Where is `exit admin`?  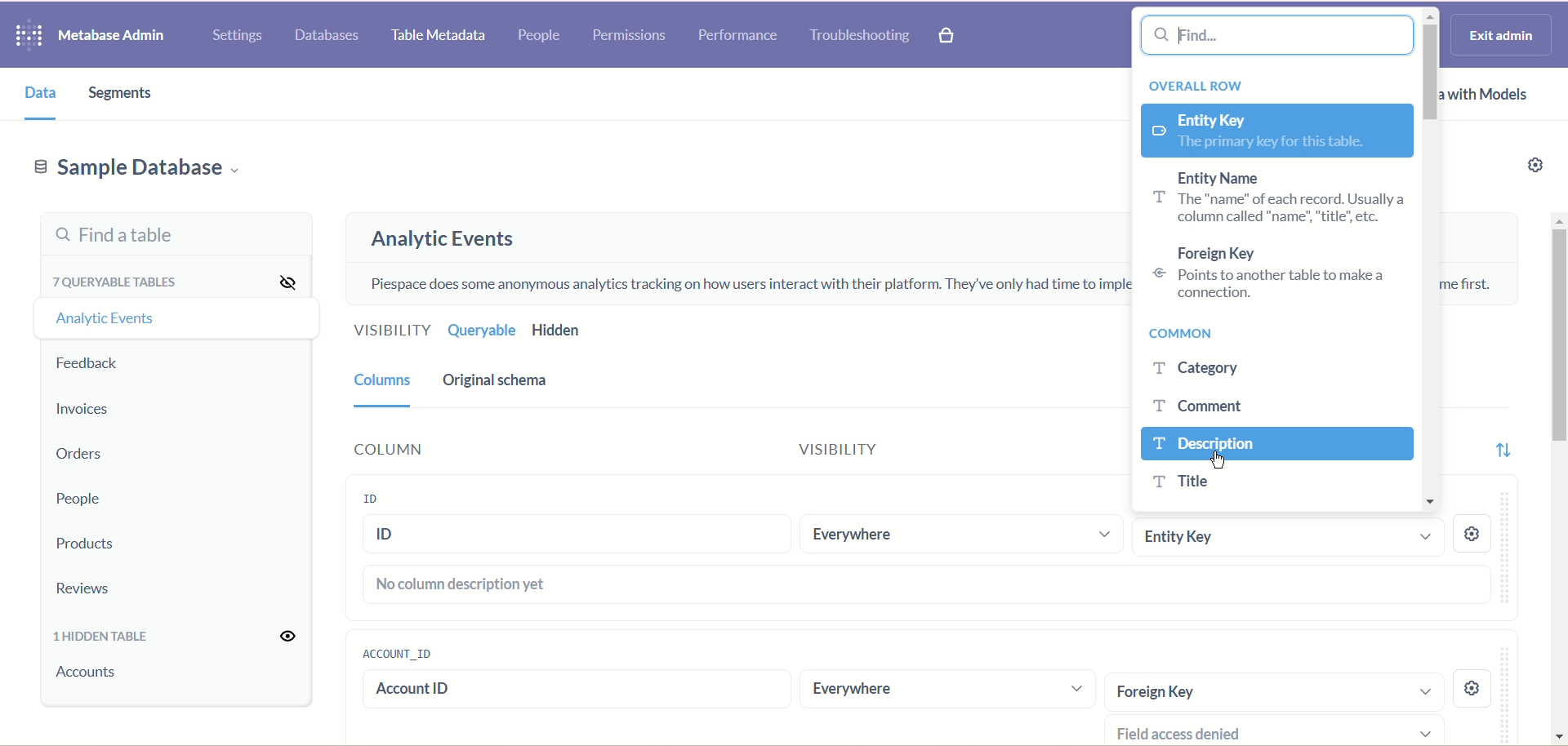 exit admin is located at coordinates (1498, 35).